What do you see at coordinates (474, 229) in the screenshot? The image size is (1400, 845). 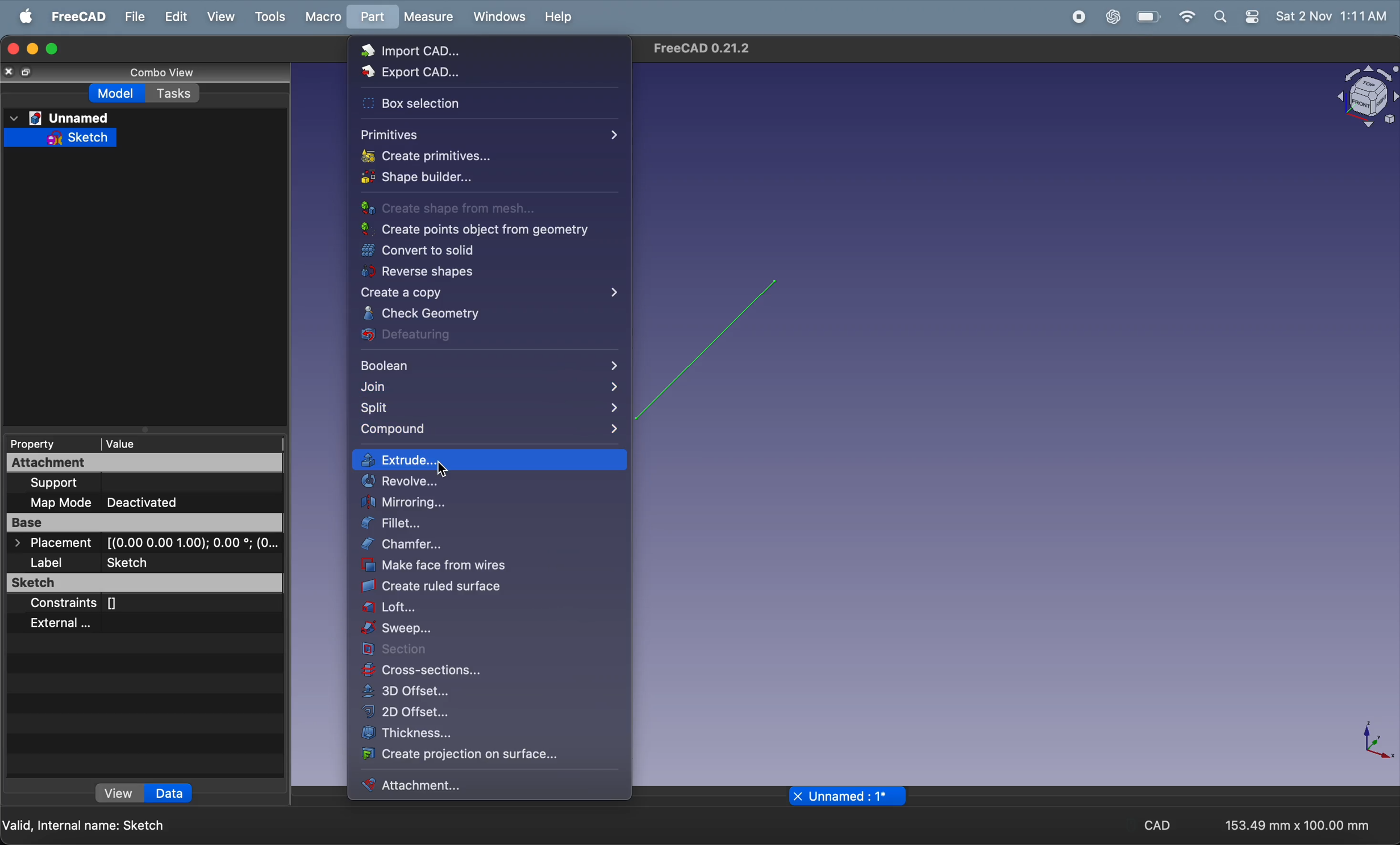 I see `create point object from geometry` at bounding box center [474, 229].